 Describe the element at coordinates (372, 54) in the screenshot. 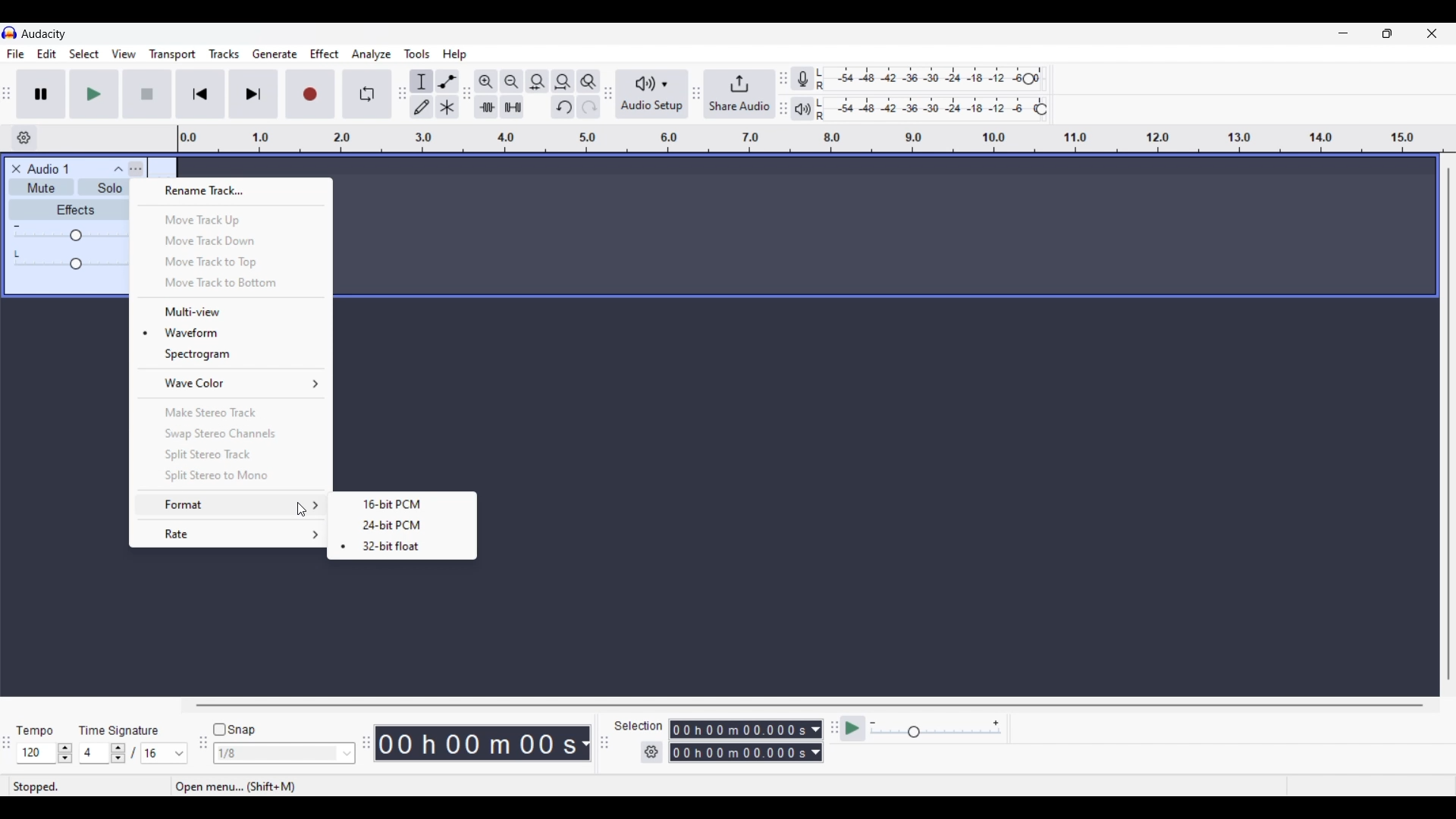

I see `Analyze menu` at that location.